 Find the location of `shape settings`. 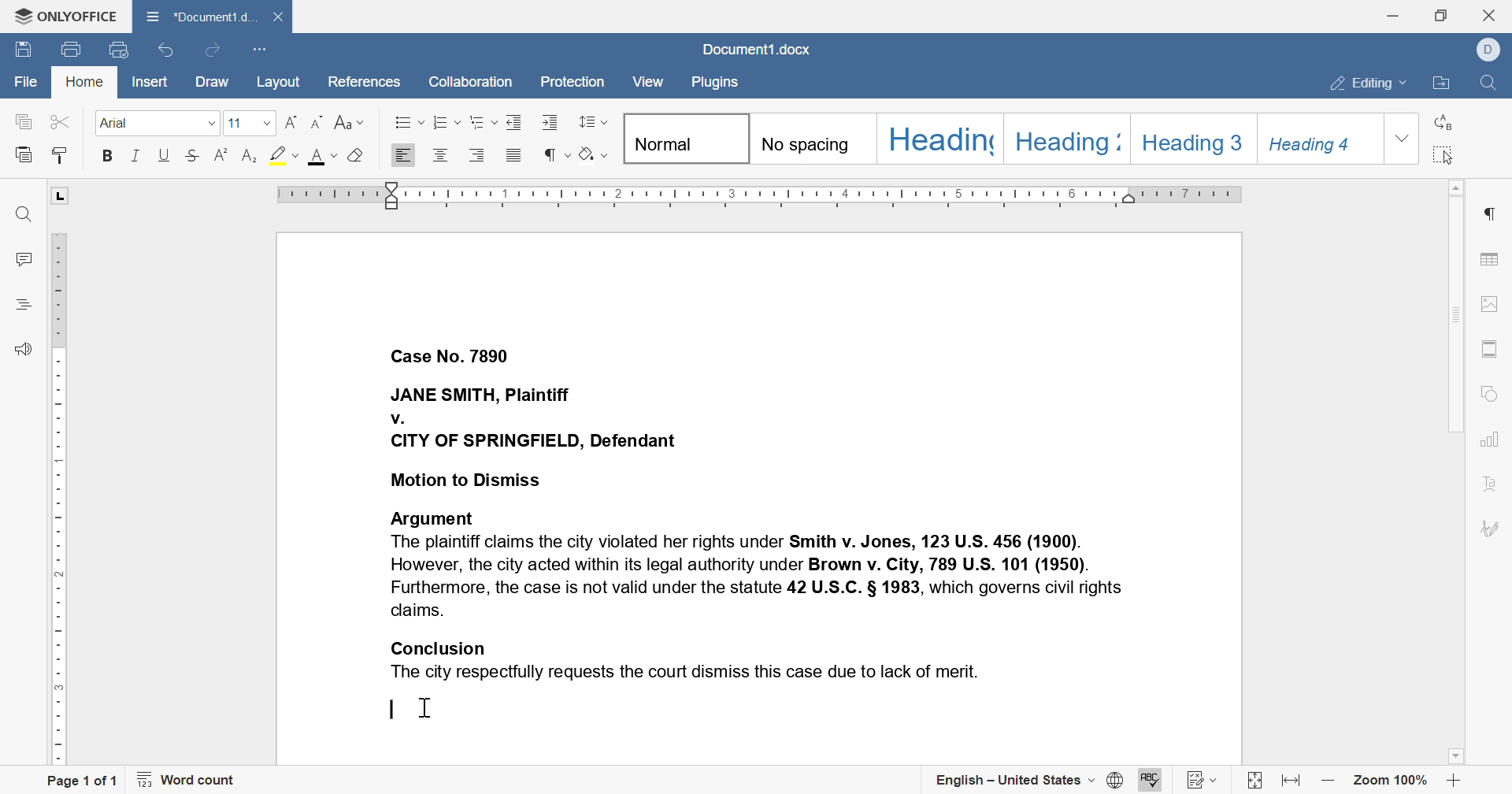

shape settings is located at coordinates (1487, 393).